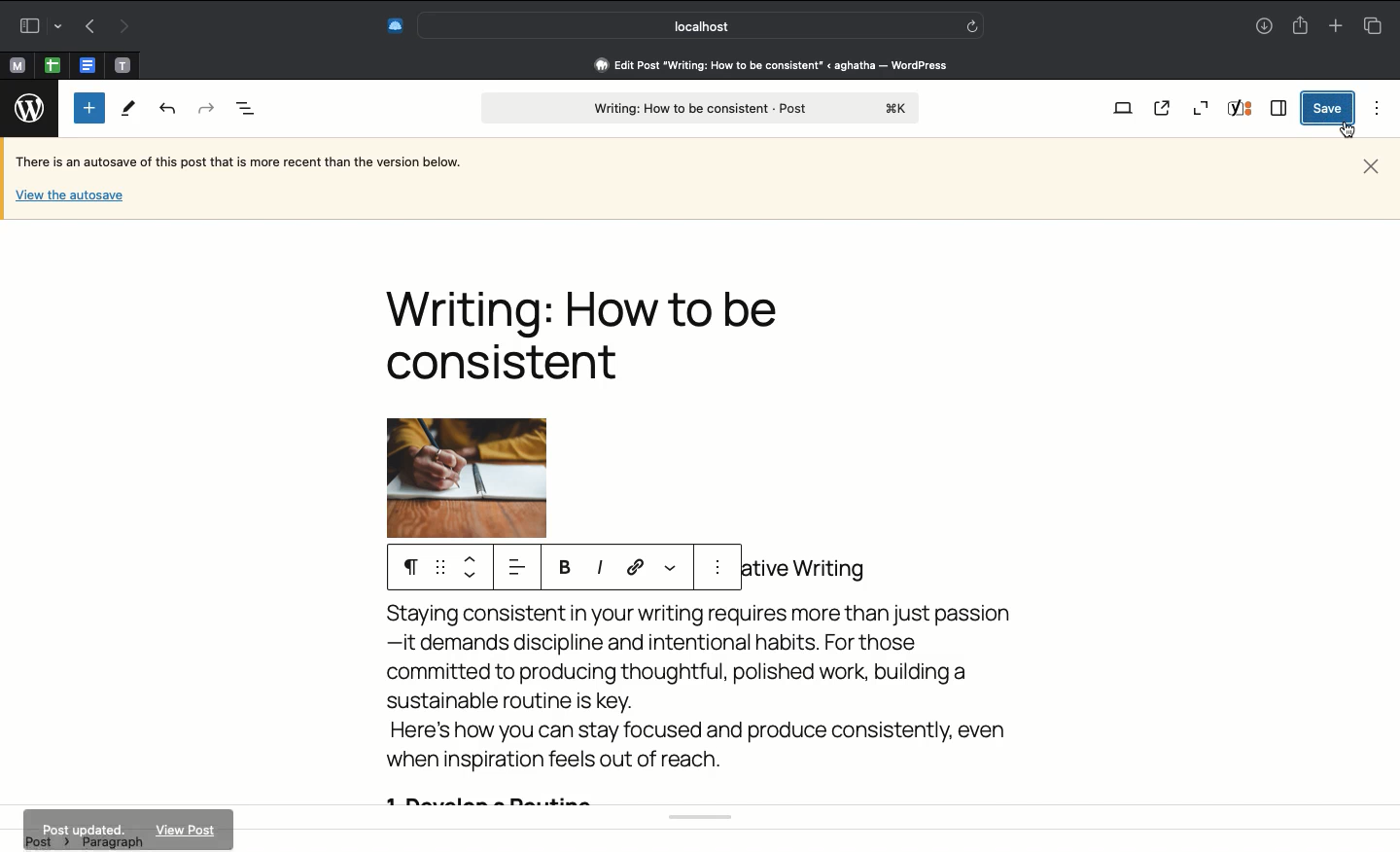 The width and height of the screenshot is (1400, 852). I want to click on Redo, so click(205, 106).